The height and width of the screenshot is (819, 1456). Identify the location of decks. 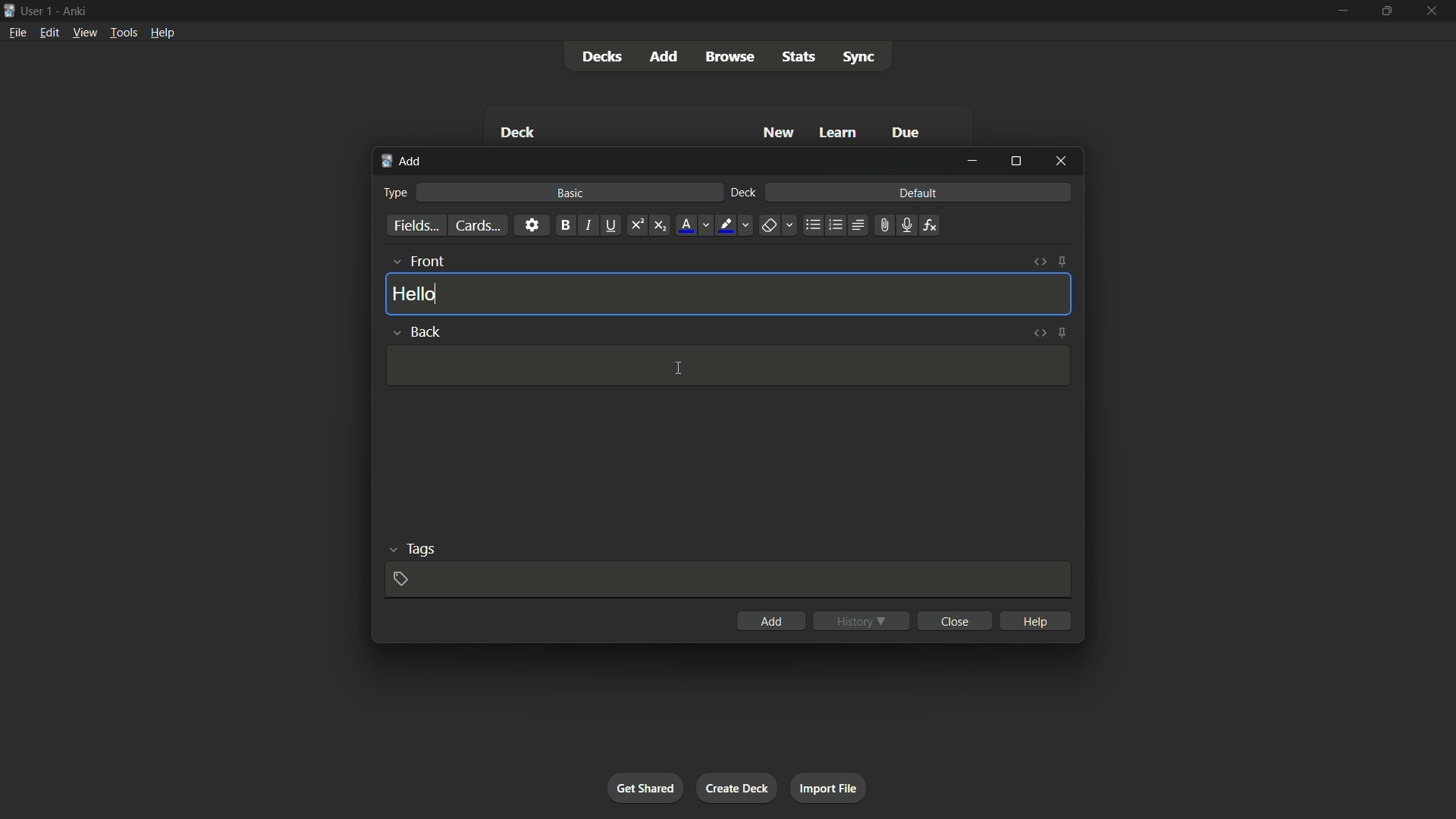
(603, 58).